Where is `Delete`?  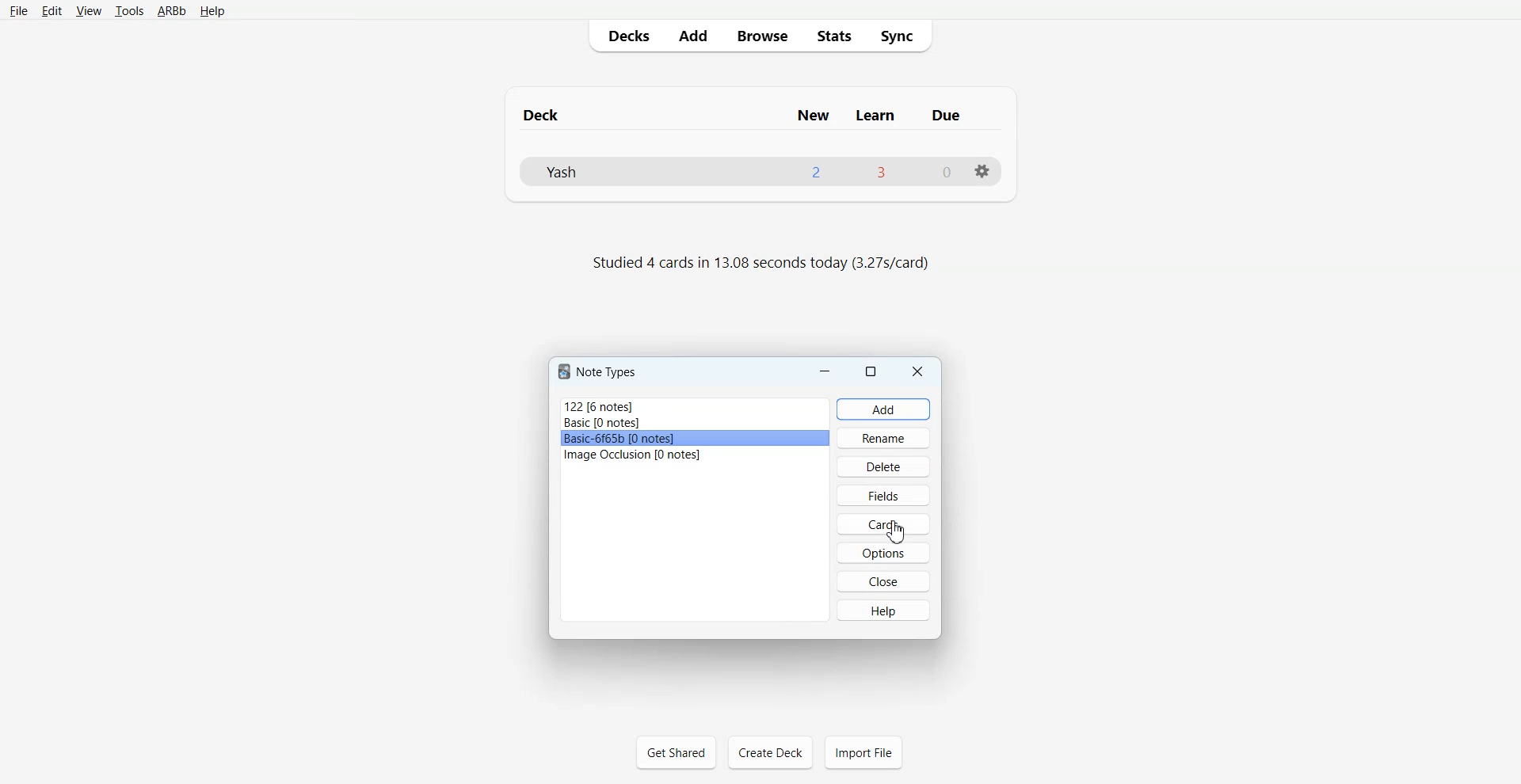 Delete is located at coordinates (883, 466).